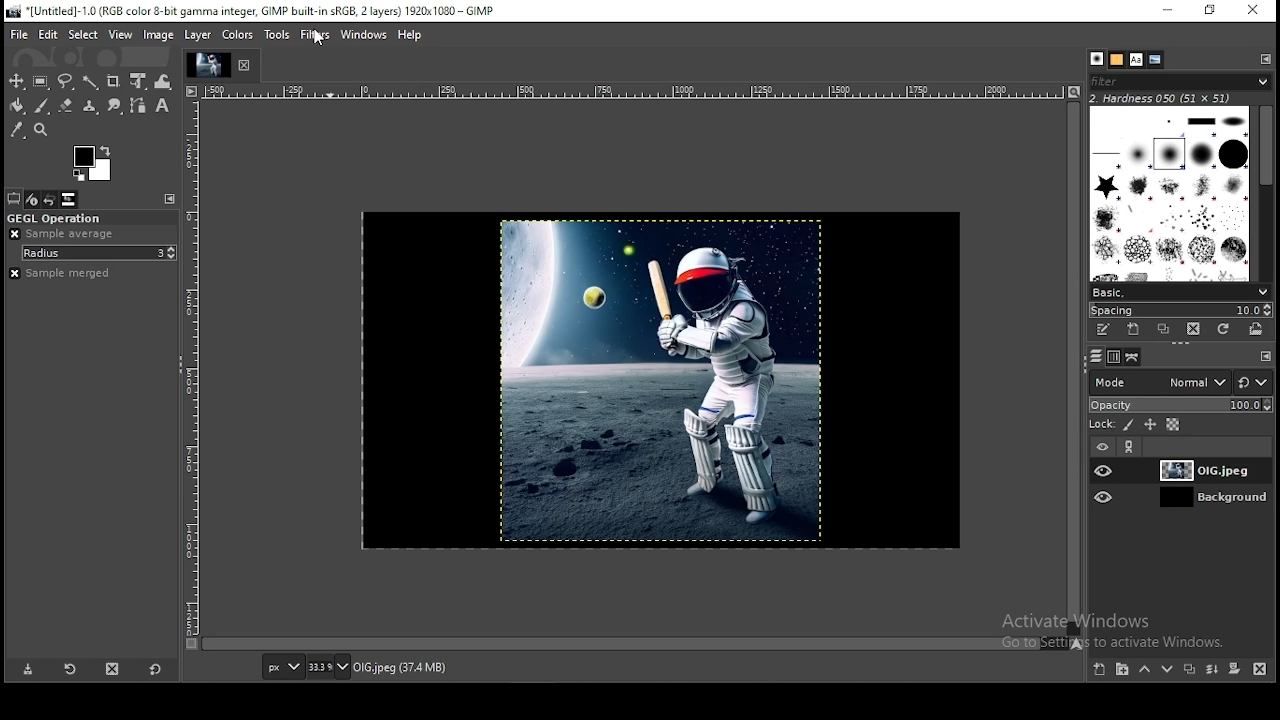 This screenshot has height=720, width=1280. I want to click on opacity, so click(1180, 404).